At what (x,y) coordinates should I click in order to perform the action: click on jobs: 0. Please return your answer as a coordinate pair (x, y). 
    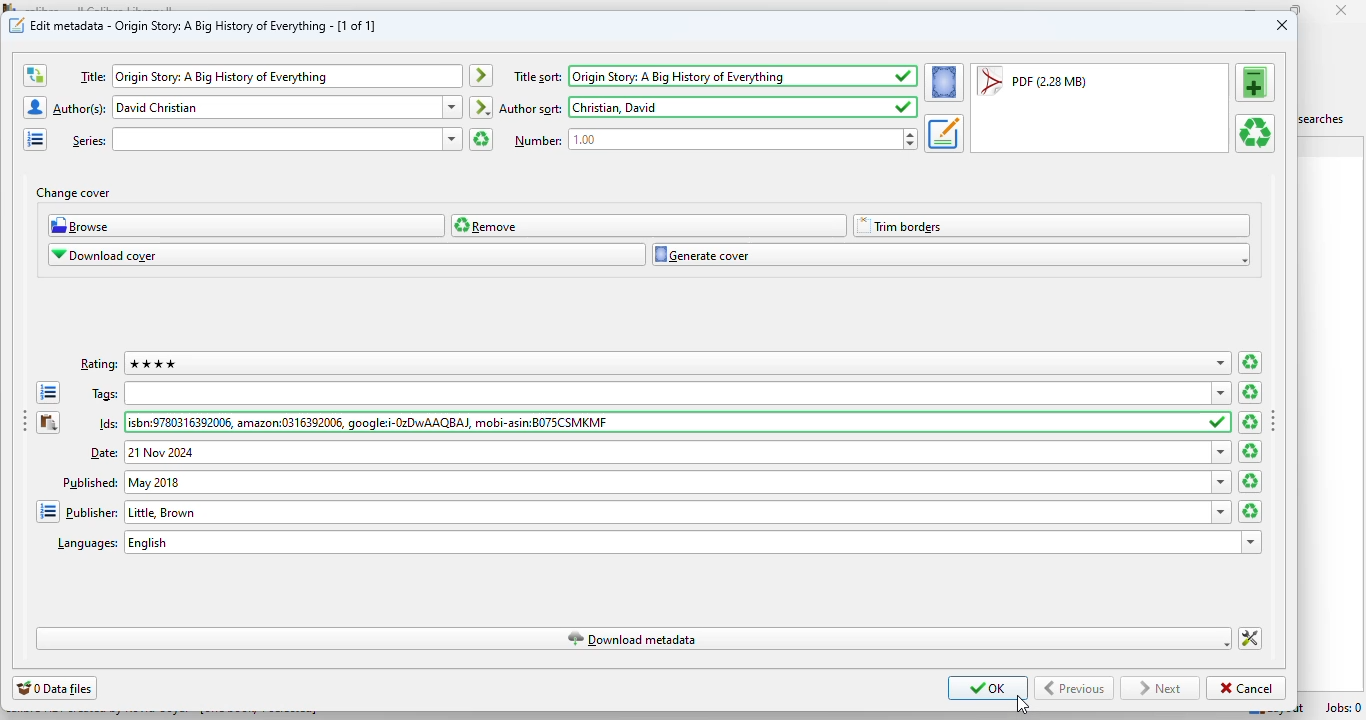
    Looking at the image, I should click on (1345, 708).